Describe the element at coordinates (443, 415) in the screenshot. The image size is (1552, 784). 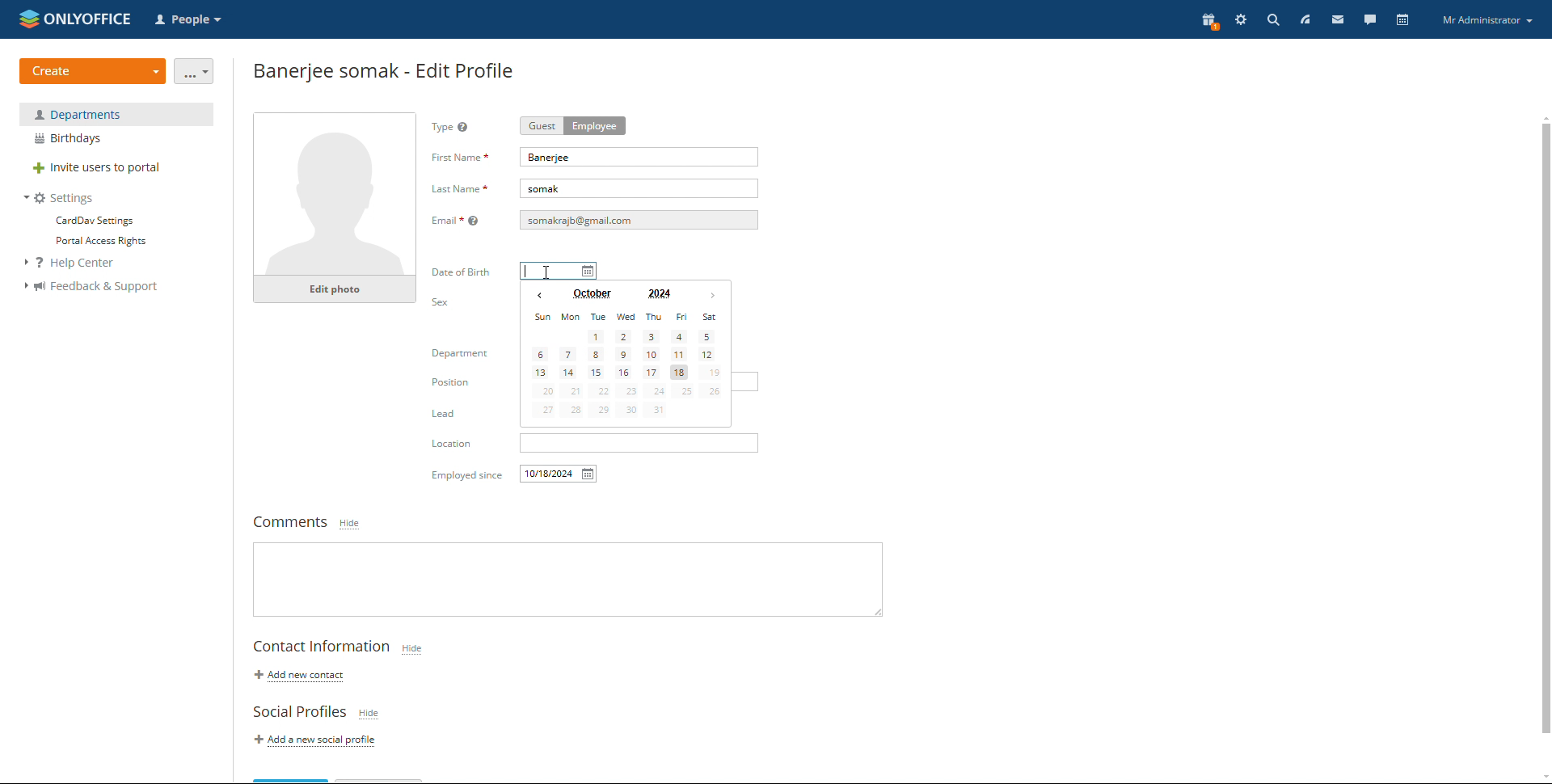
I see `Lead` at that location.